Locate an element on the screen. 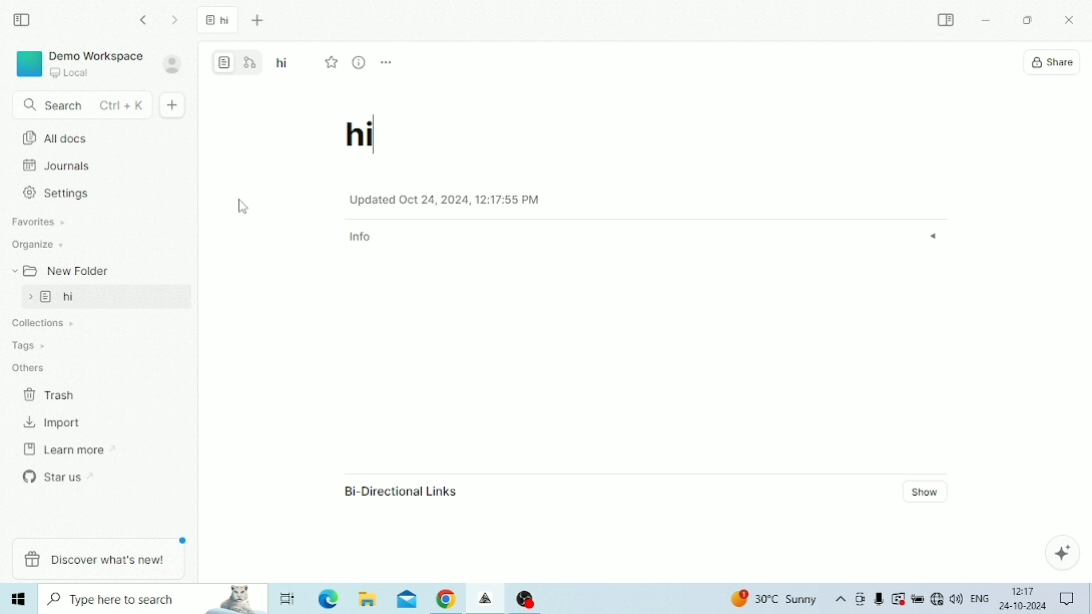 This screenshot has width=1092, height=614. Task View is located at coordinates (289, 598).